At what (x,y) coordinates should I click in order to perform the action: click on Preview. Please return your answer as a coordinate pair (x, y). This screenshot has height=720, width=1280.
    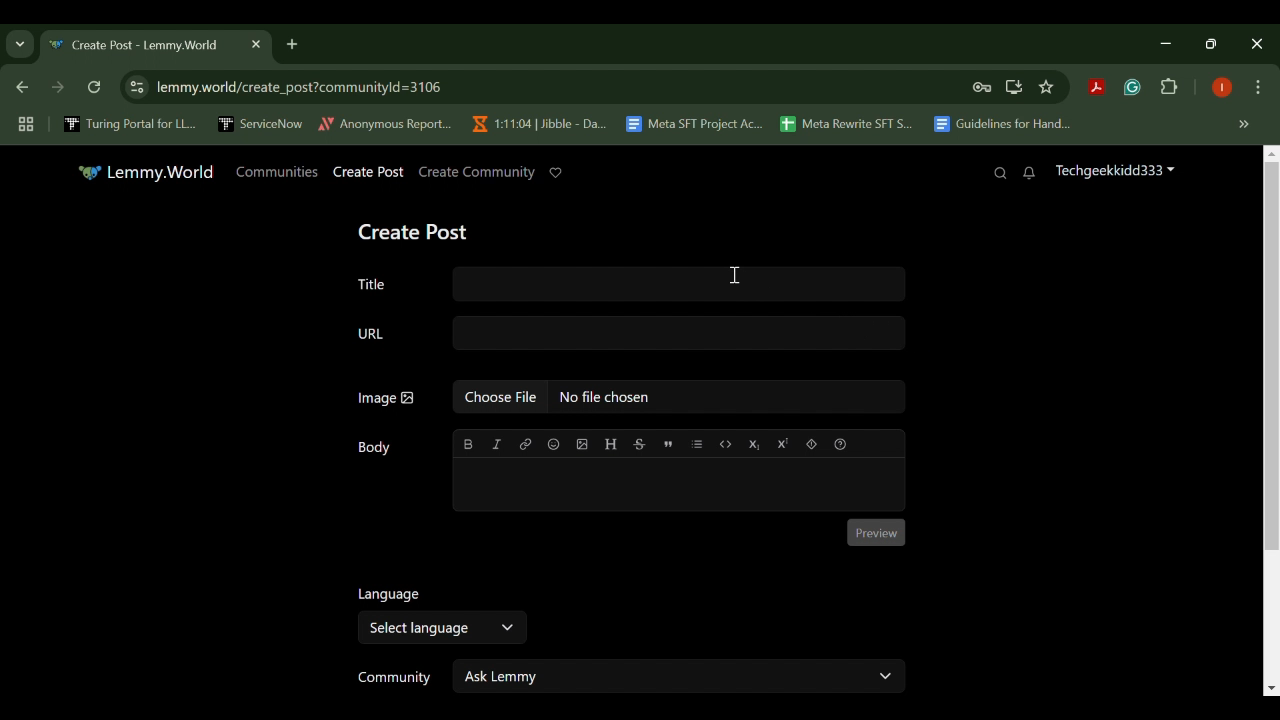
    Looking at the image, I should click on (877, 533).